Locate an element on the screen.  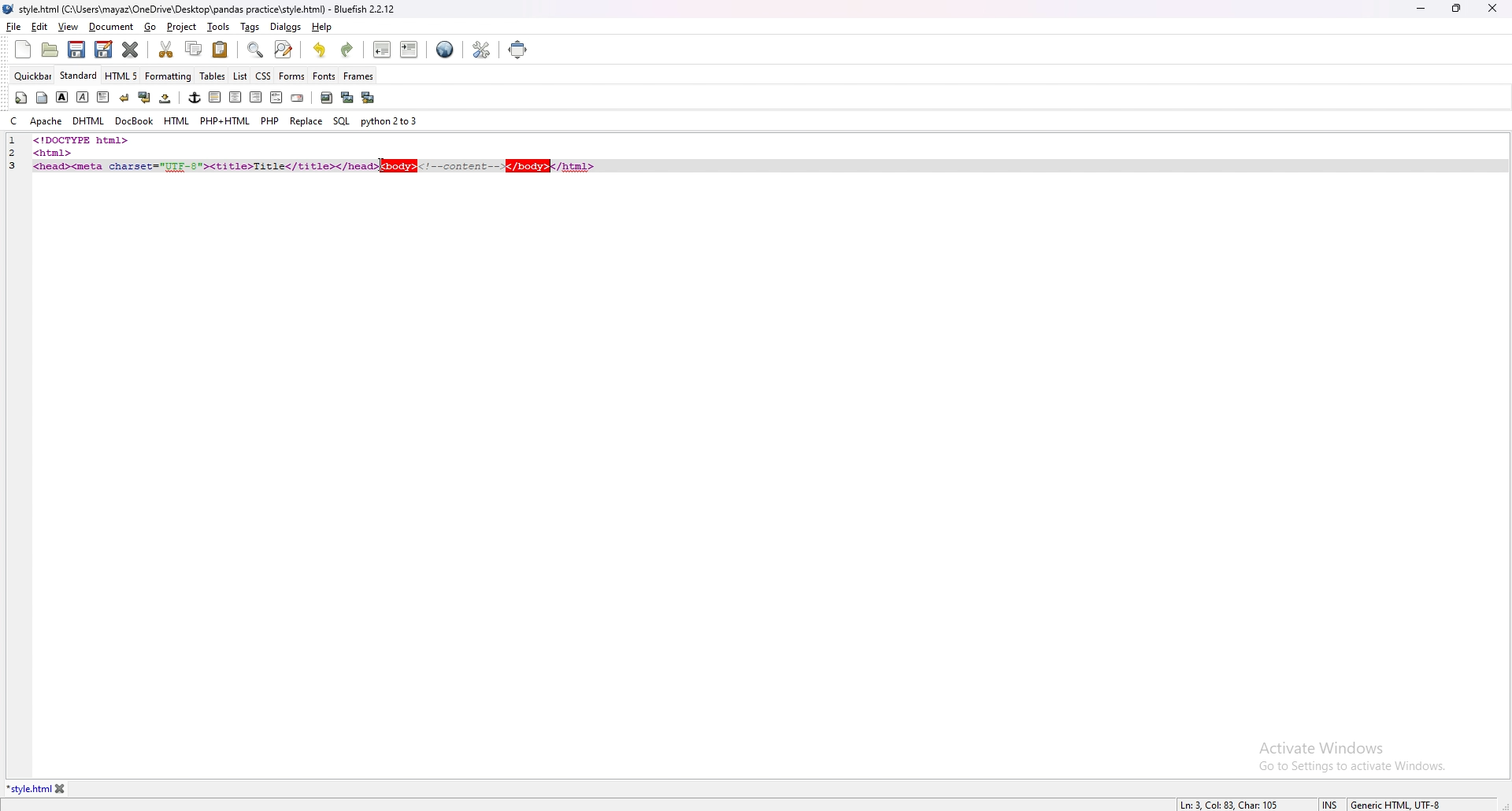
open is located at coordinates (52, 50).